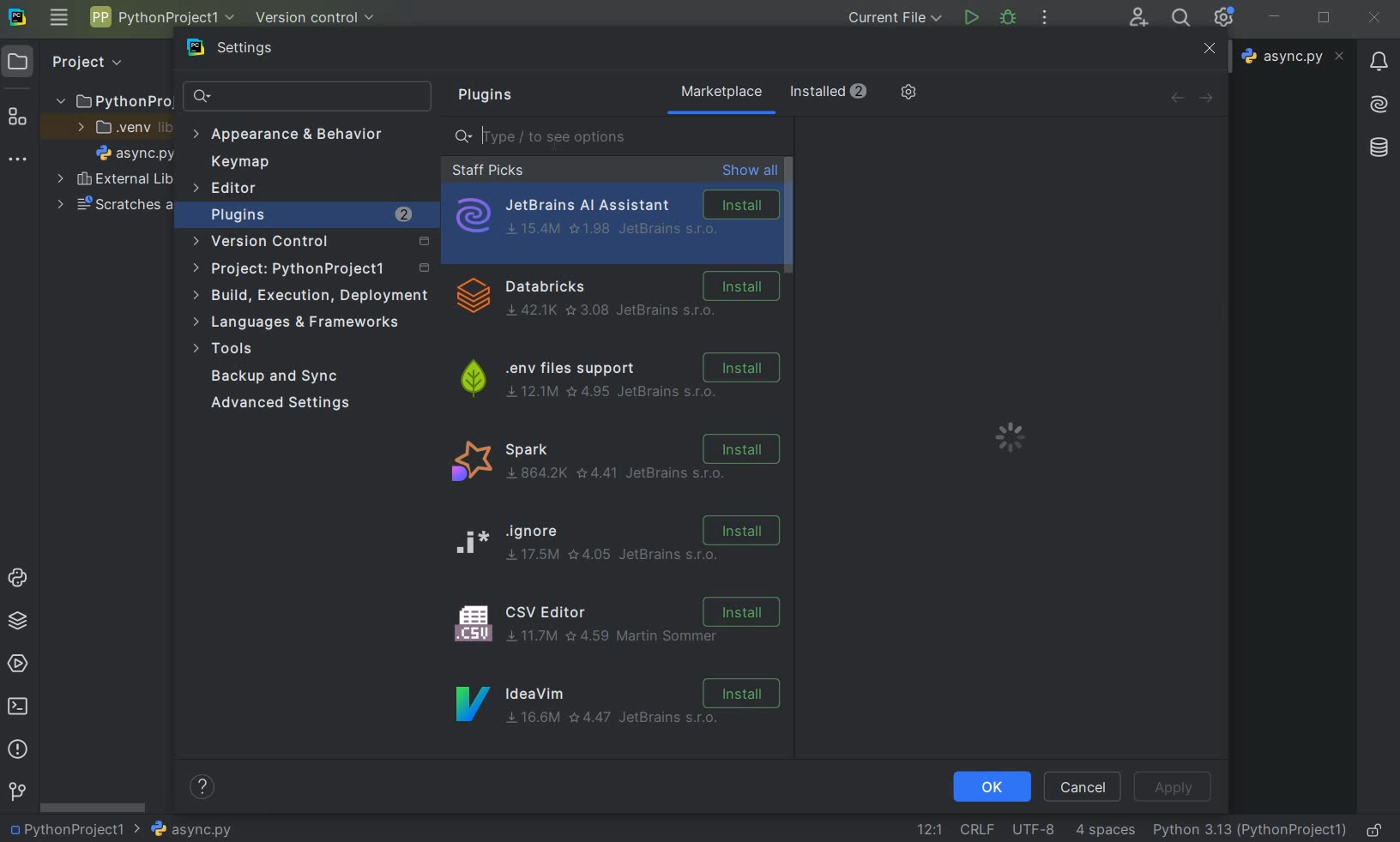 The height and width of the screenshot is (842, 1400). What do you see at coordinates (316, 18) in the screenshot?
I see `version control` at bounding box center [316, 18].